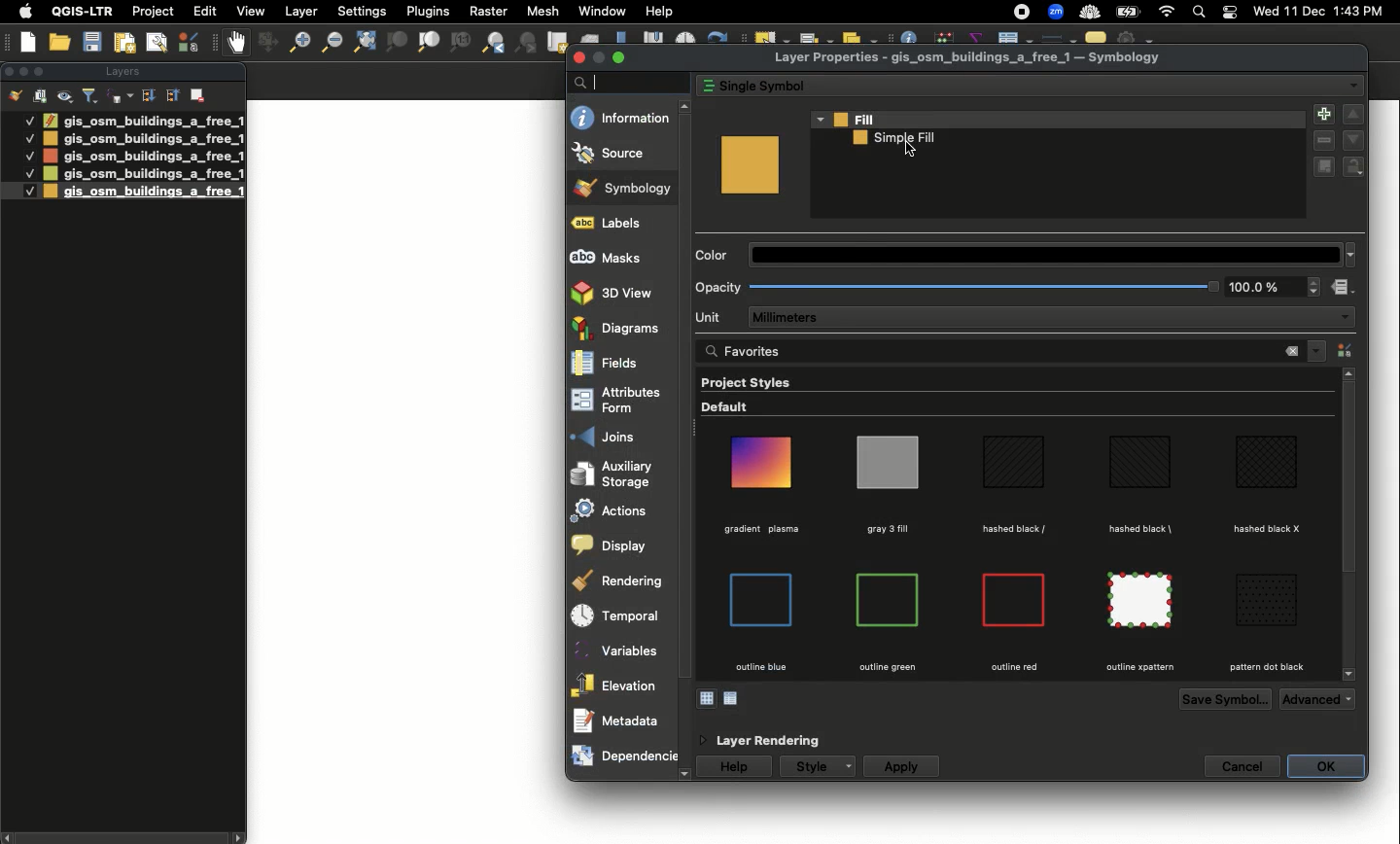 This screenshot has height=844, width=1400. Describe the element at coordinates (330, 42) in the screenshot. I see `Zoom out ` at that location.